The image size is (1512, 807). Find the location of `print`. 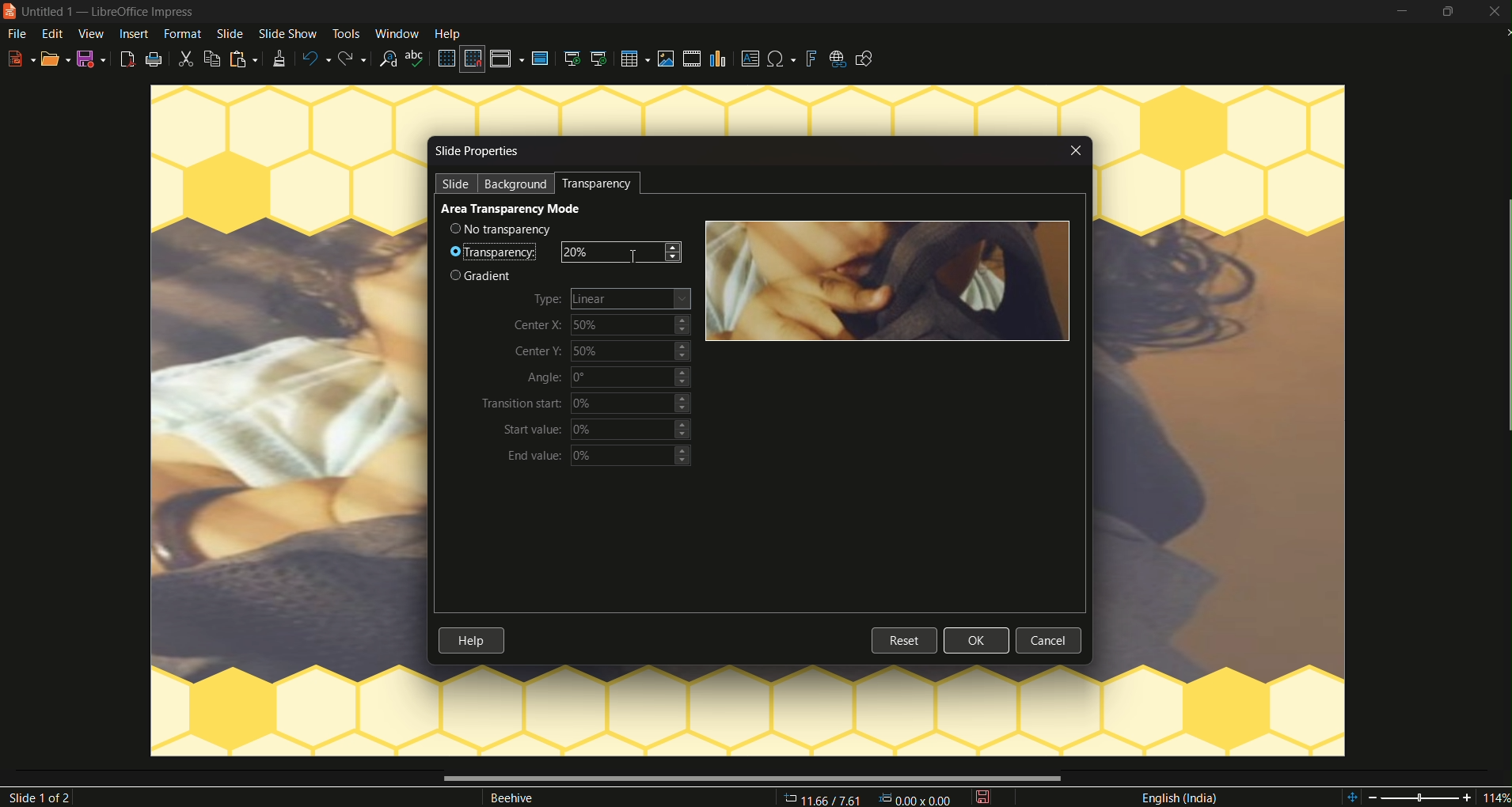

print is located at coordinates (155, 59).